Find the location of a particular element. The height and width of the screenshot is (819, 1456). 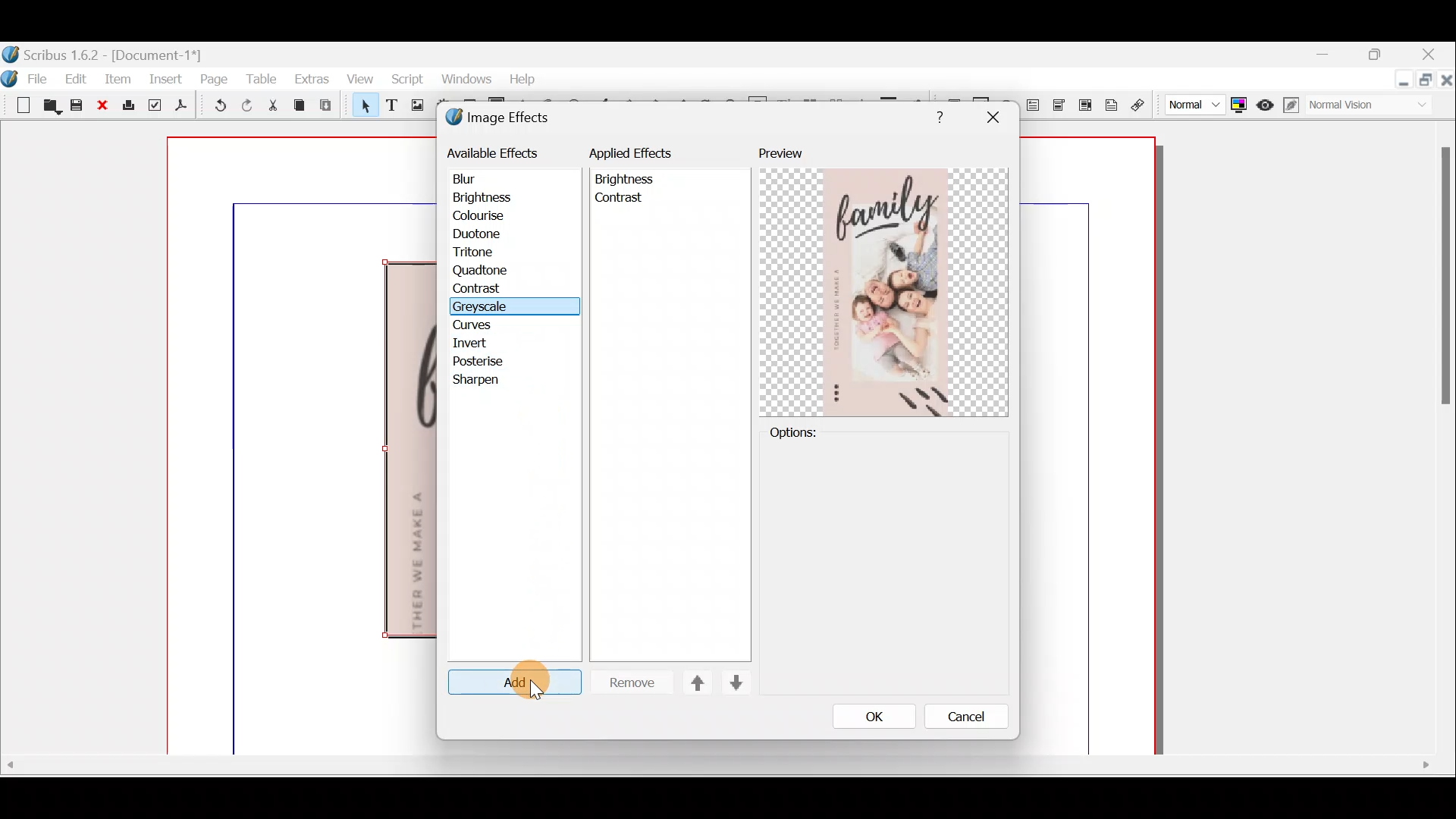

Image frame is located at coordinates (413, 105).